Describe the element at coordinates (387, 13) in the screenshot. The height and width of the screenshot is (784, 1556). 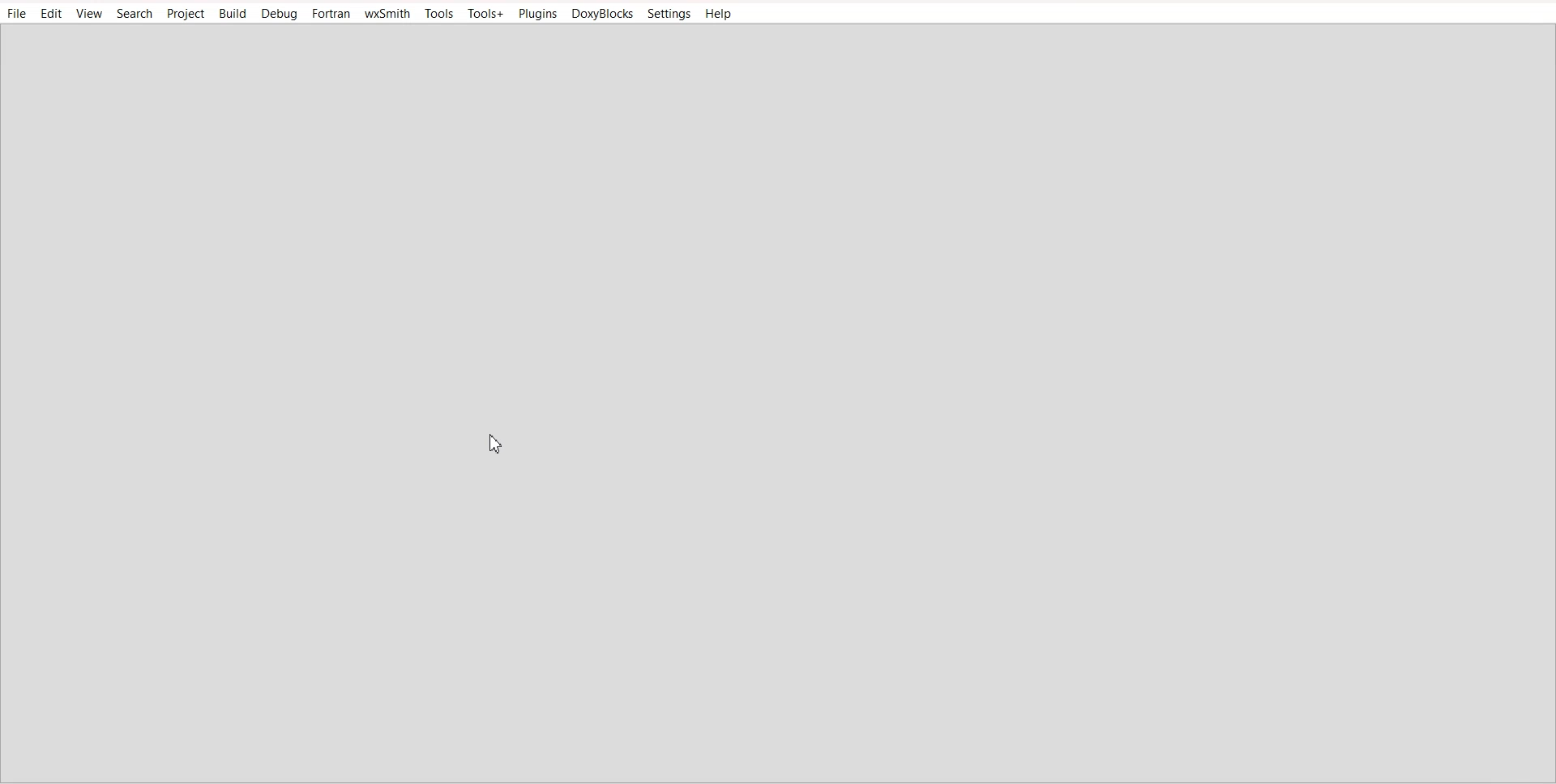
I see `wxSmith` at that location.